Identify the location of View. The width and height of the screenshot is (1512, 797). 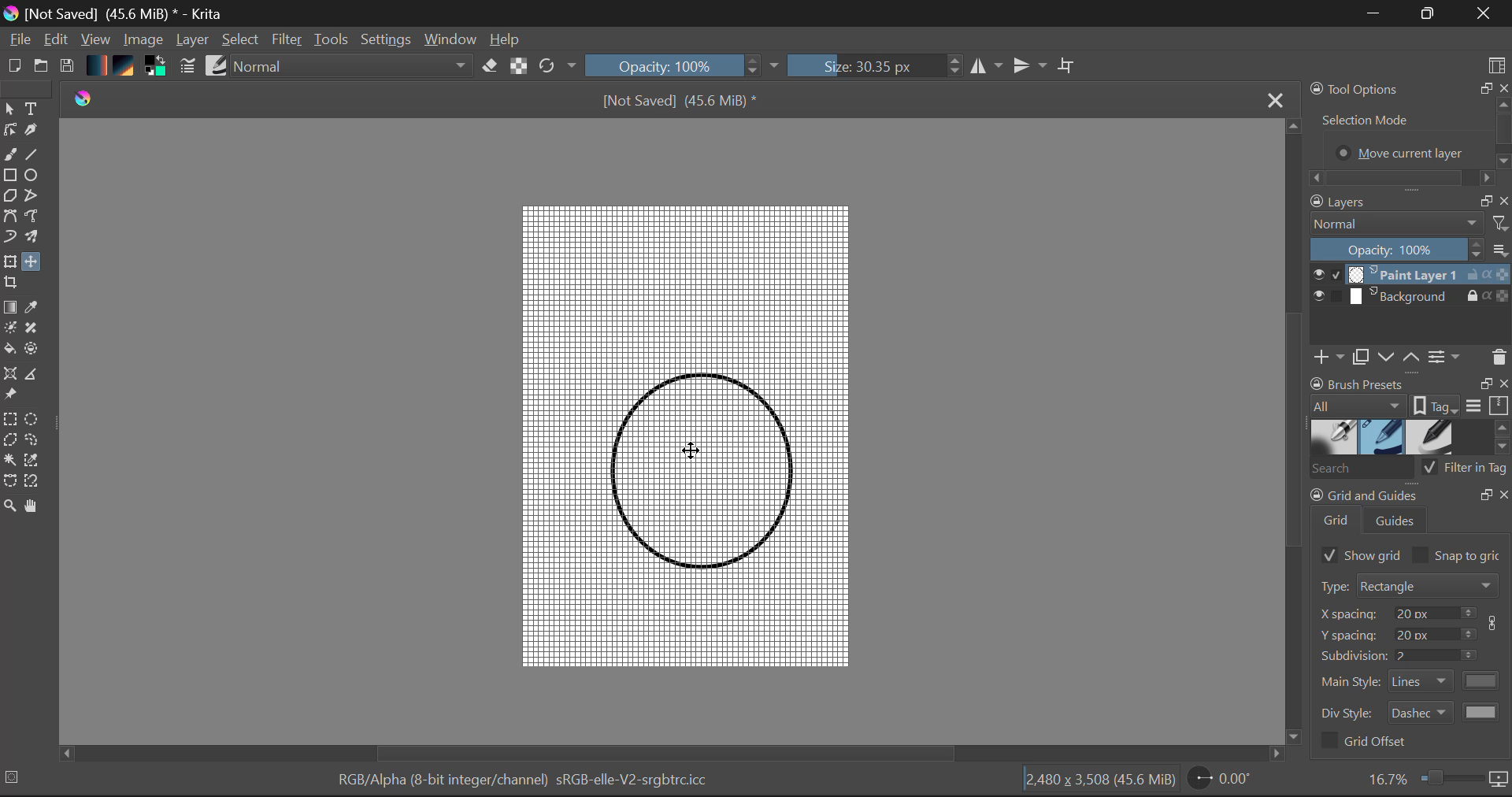
(96, 39).